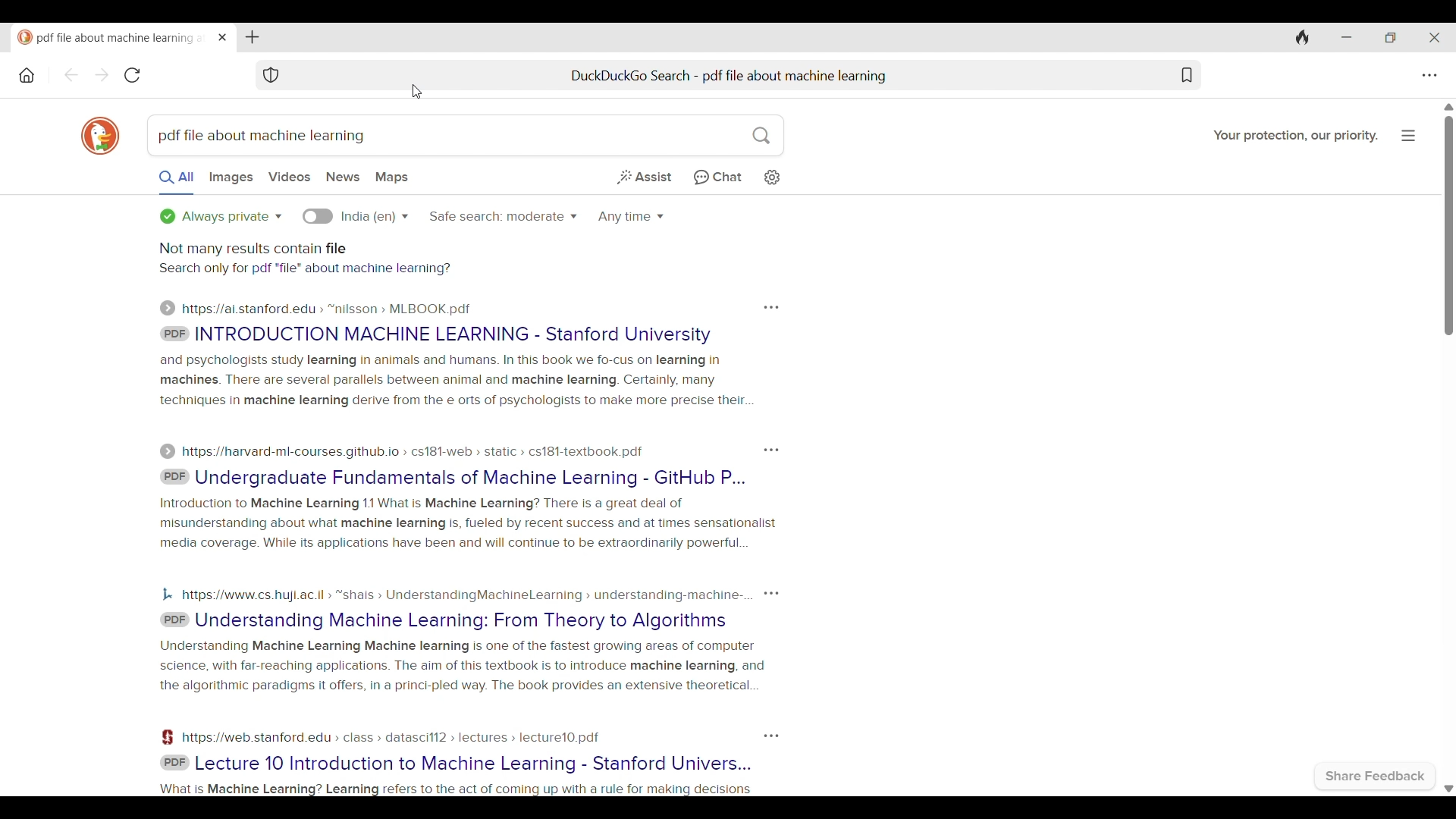  What do you see at coordinates (453, 334) in the screenshot?
I see `INTRODUCTION MACHINE LEARNING - Stanford University` at bounding box center [453, 334].